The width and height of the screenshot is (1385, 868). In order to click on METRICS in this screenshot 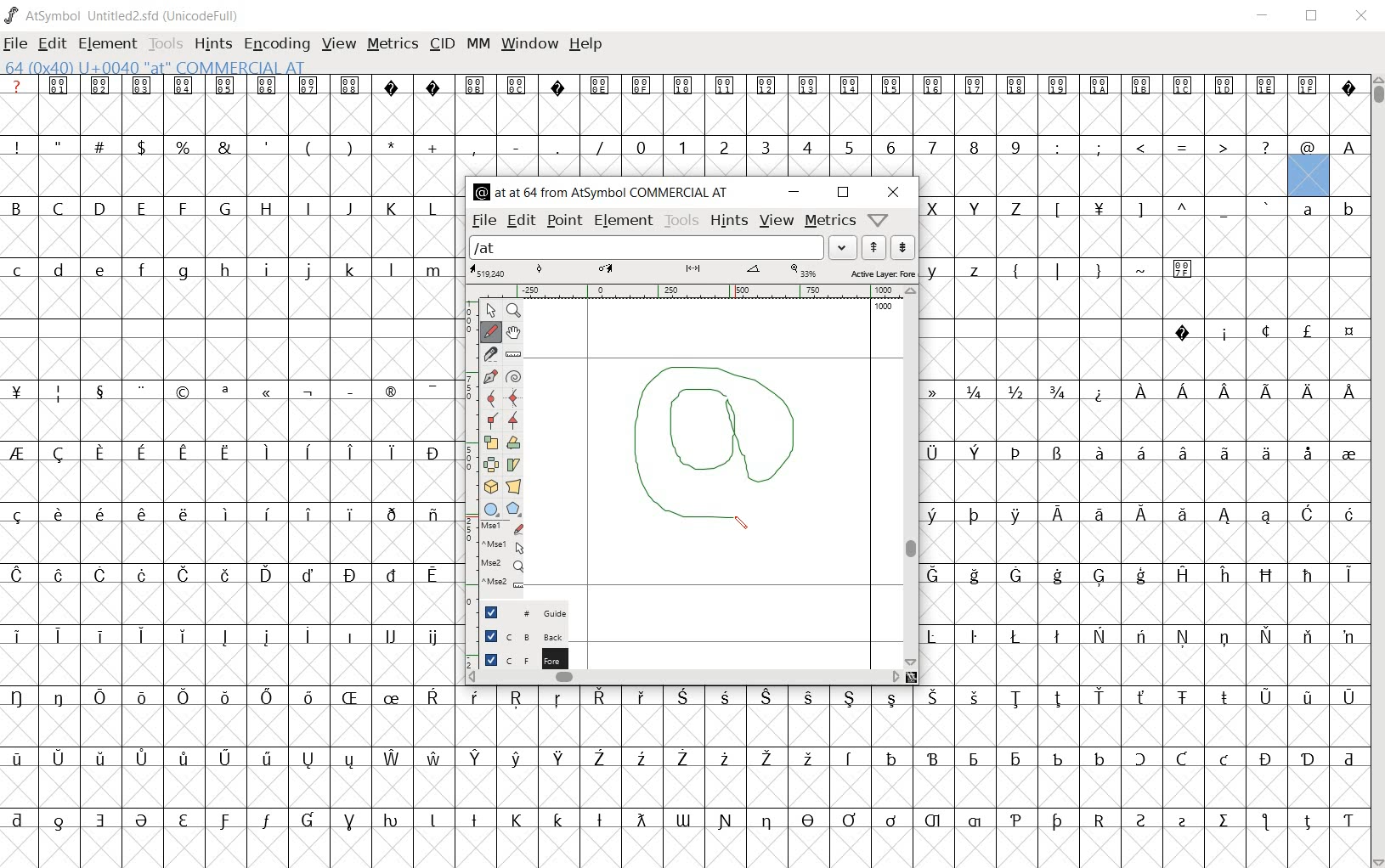, I will do `click(392, 44)`.